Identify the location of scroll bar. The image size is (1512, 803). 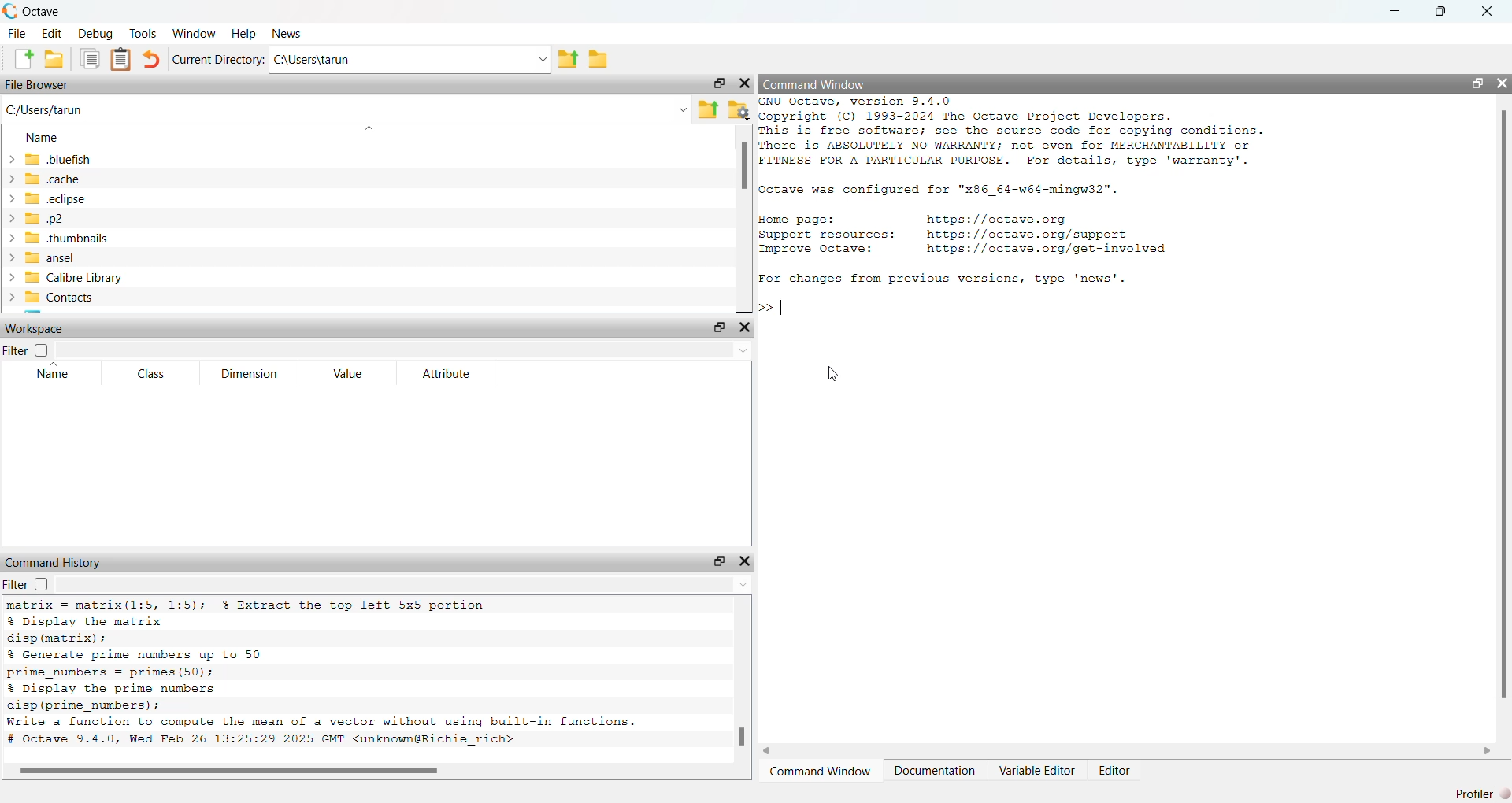
(234, 772).